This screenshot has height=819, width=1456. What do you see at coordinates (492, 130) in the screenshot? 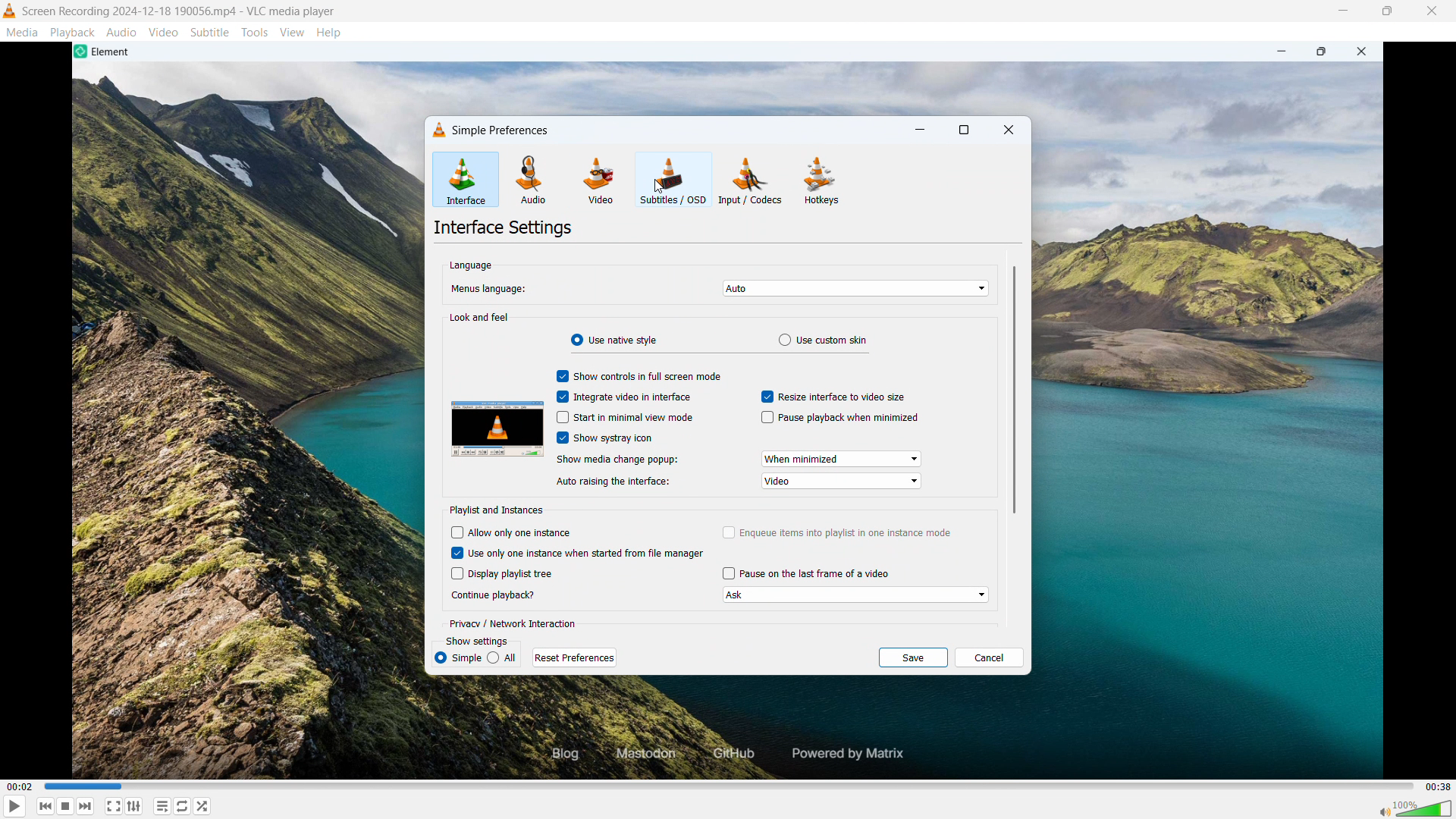
I see `Simple preferences ` at bounding box center [492, 130].